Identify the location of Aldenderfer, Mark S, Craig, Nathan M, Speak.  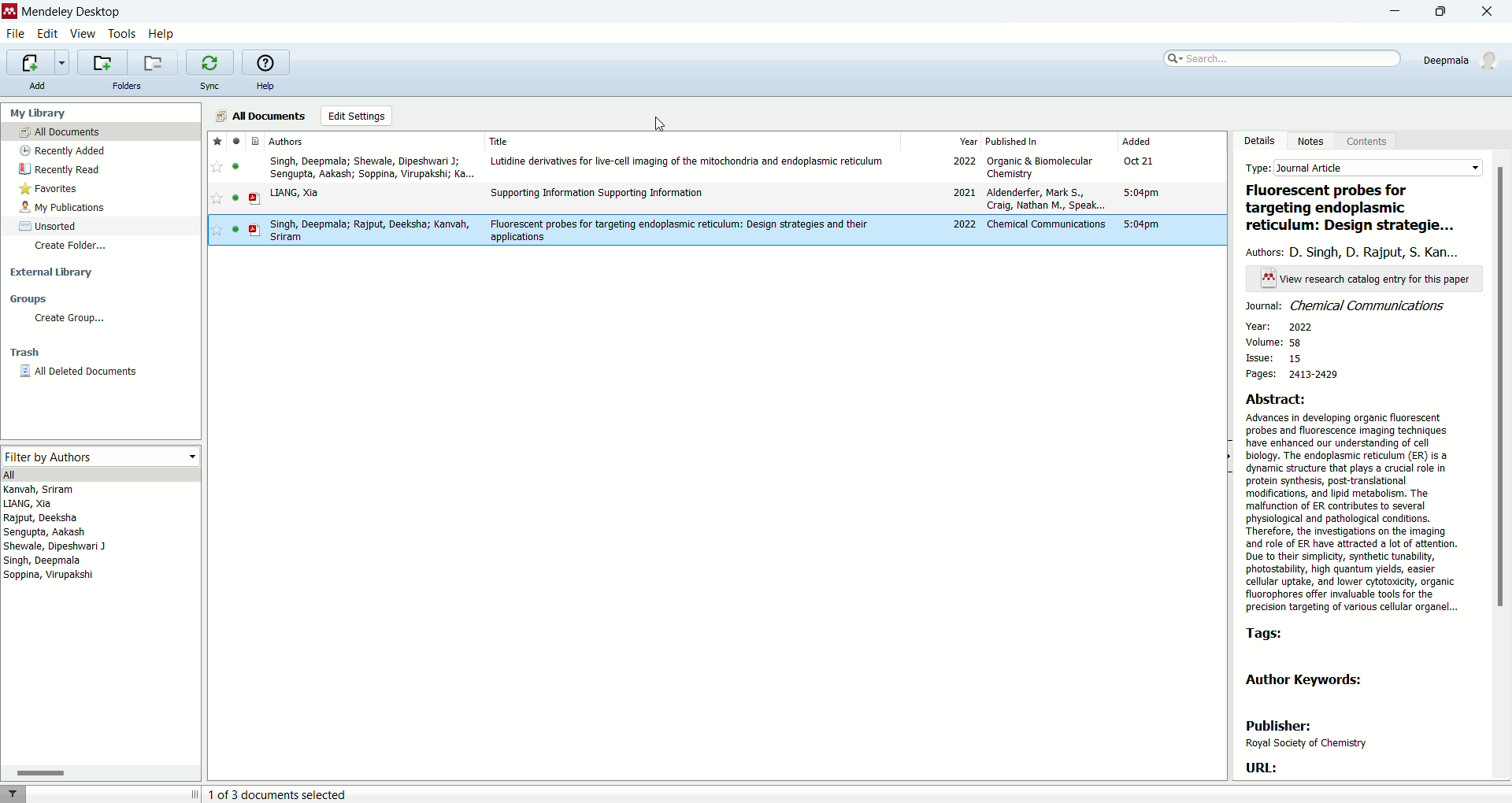
(1044, 200).